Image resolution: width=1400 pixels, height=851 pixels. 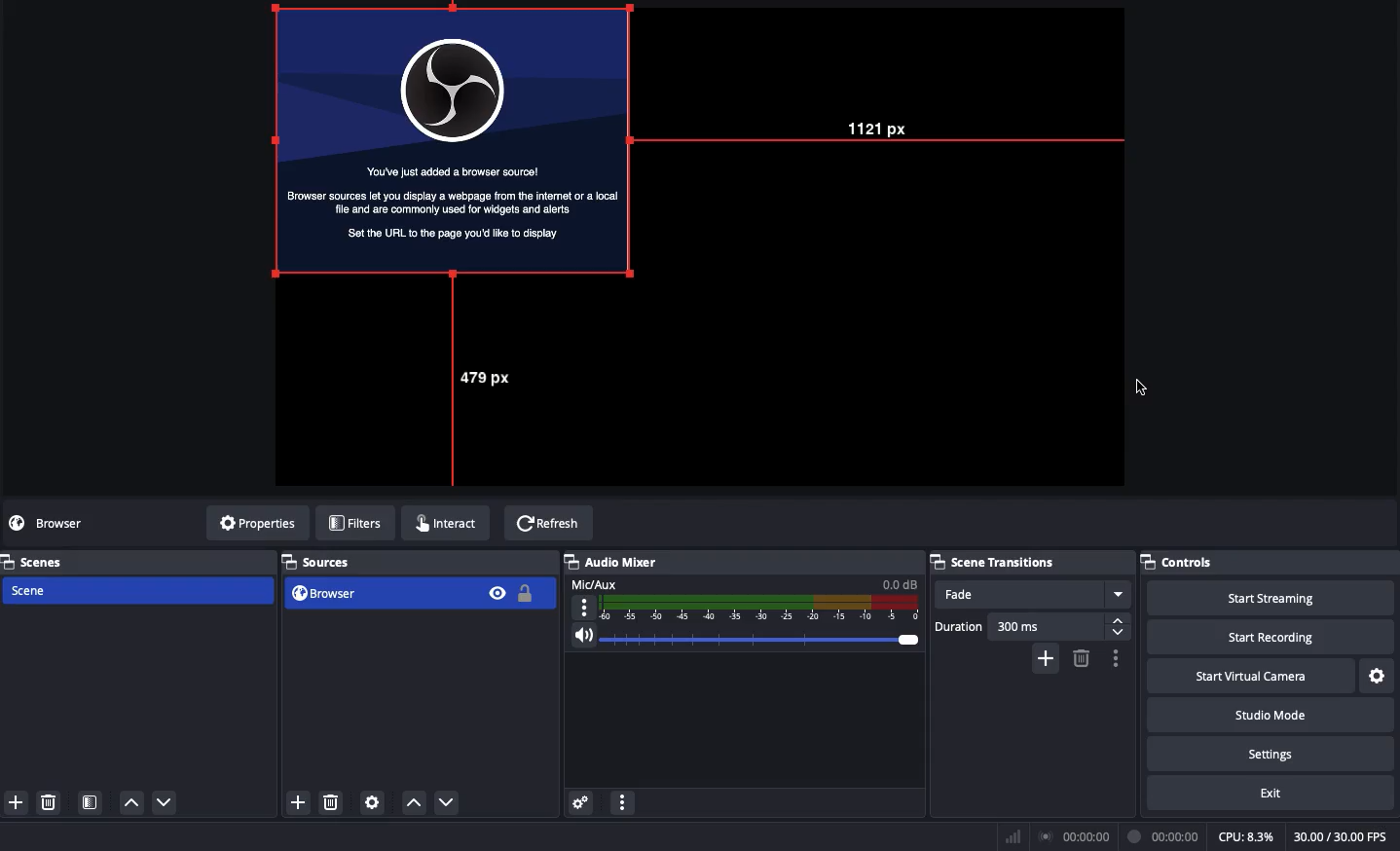 I want to click on 30.00/30.00 FPS, so click(x=1345, y=836).